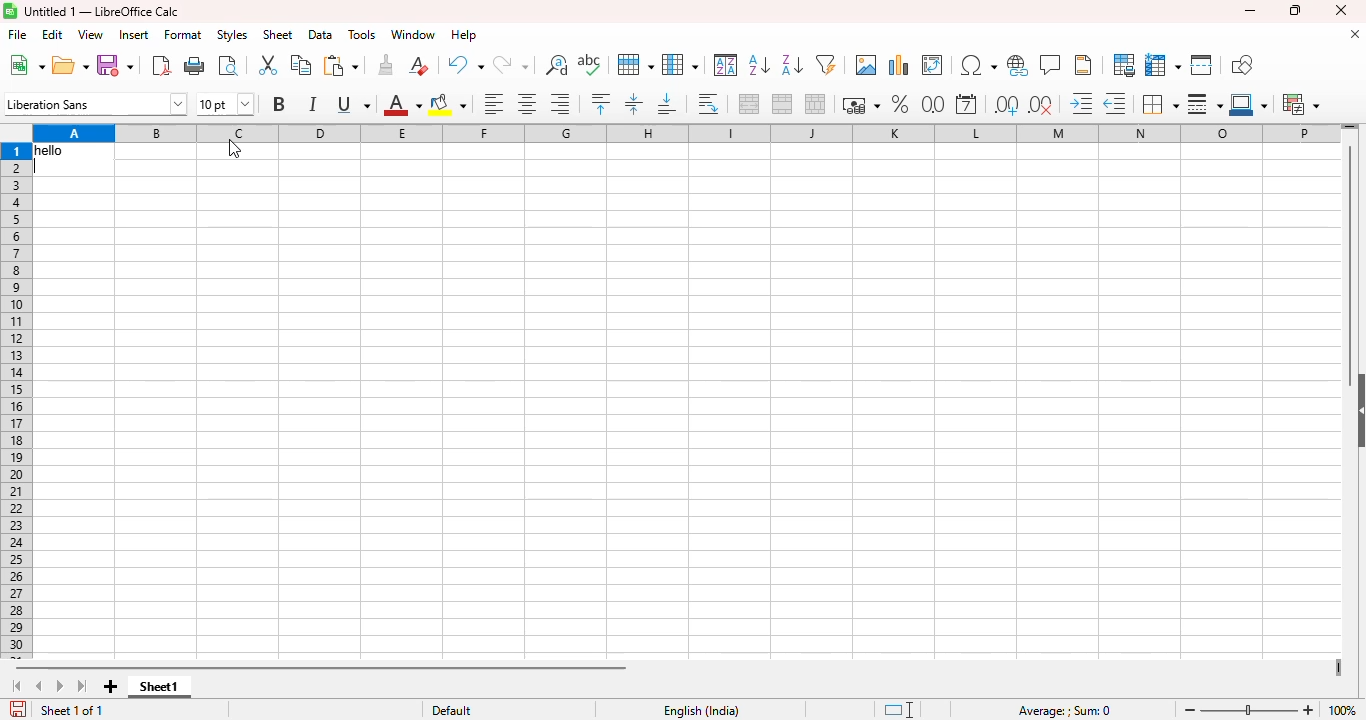 This screenshot has height=720, width=1366. Describe the element at coordinates (228, 65) in the screenshot. I see `toggle print preview` at that location.